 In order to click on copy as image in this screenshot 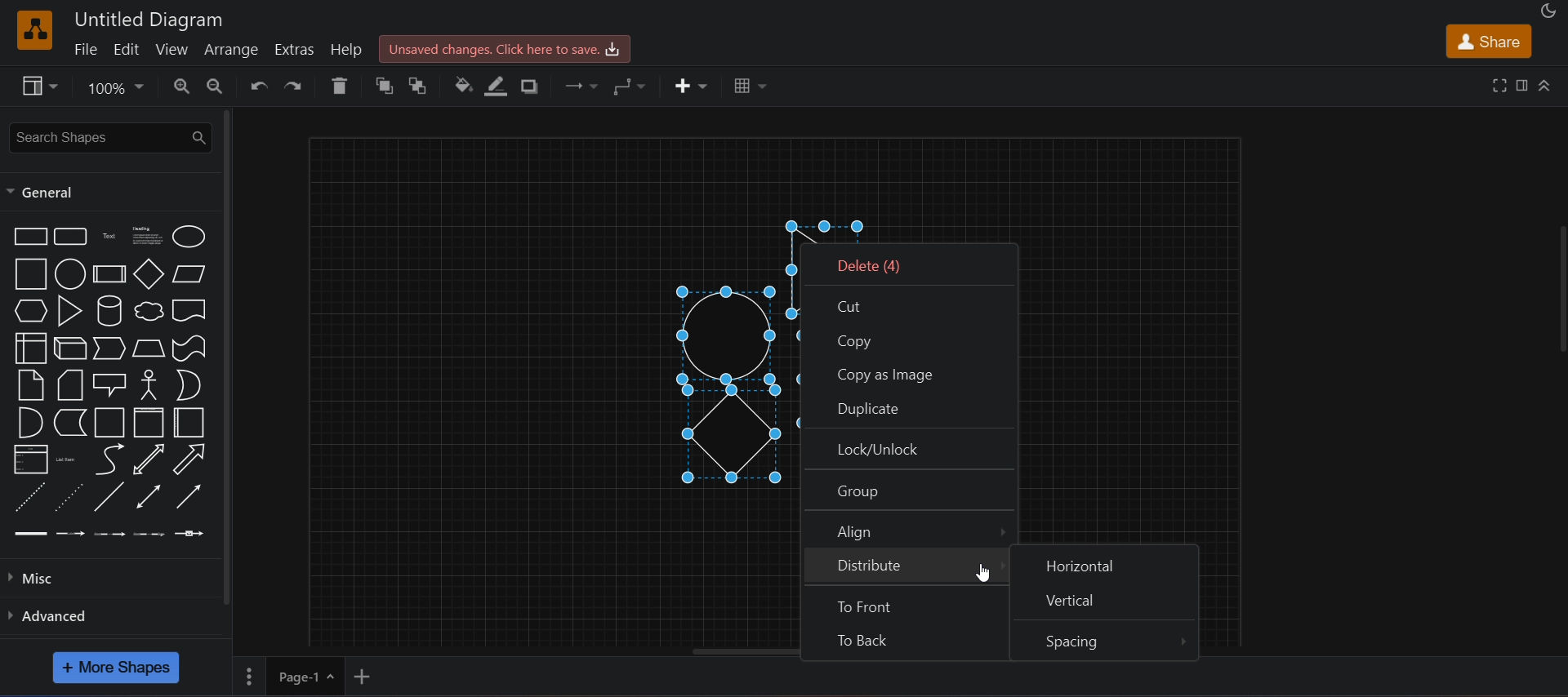, I will do `click(908, 370)`.